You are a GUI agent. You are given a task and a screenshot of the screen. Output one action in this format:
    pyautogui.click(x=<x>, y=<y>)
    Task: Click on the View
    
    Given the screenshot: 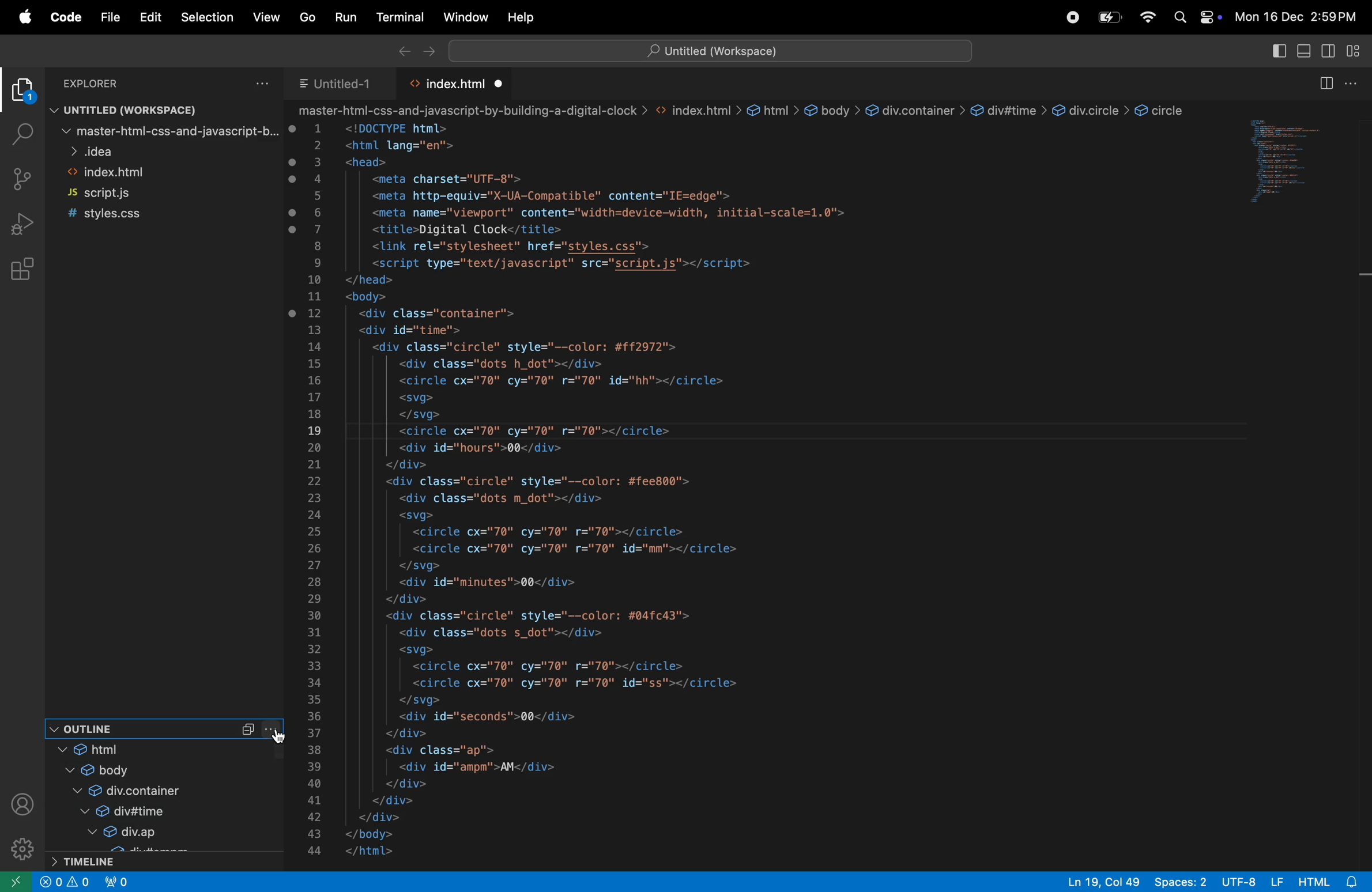 What is the action you would take?
    pyautogui.click(x=265, y=20)
    